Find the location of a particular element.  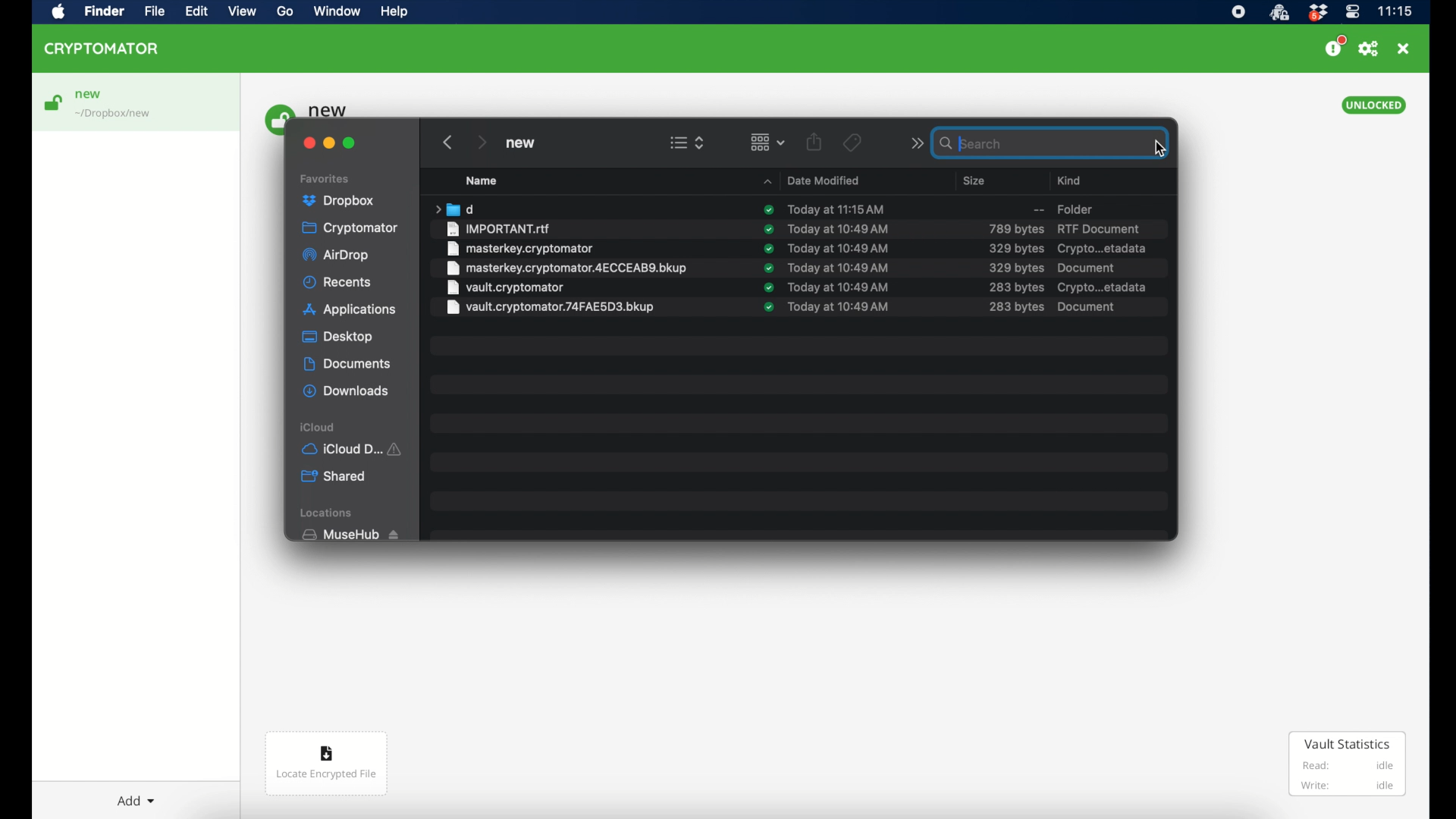

go is located at coordinates (286, 11).